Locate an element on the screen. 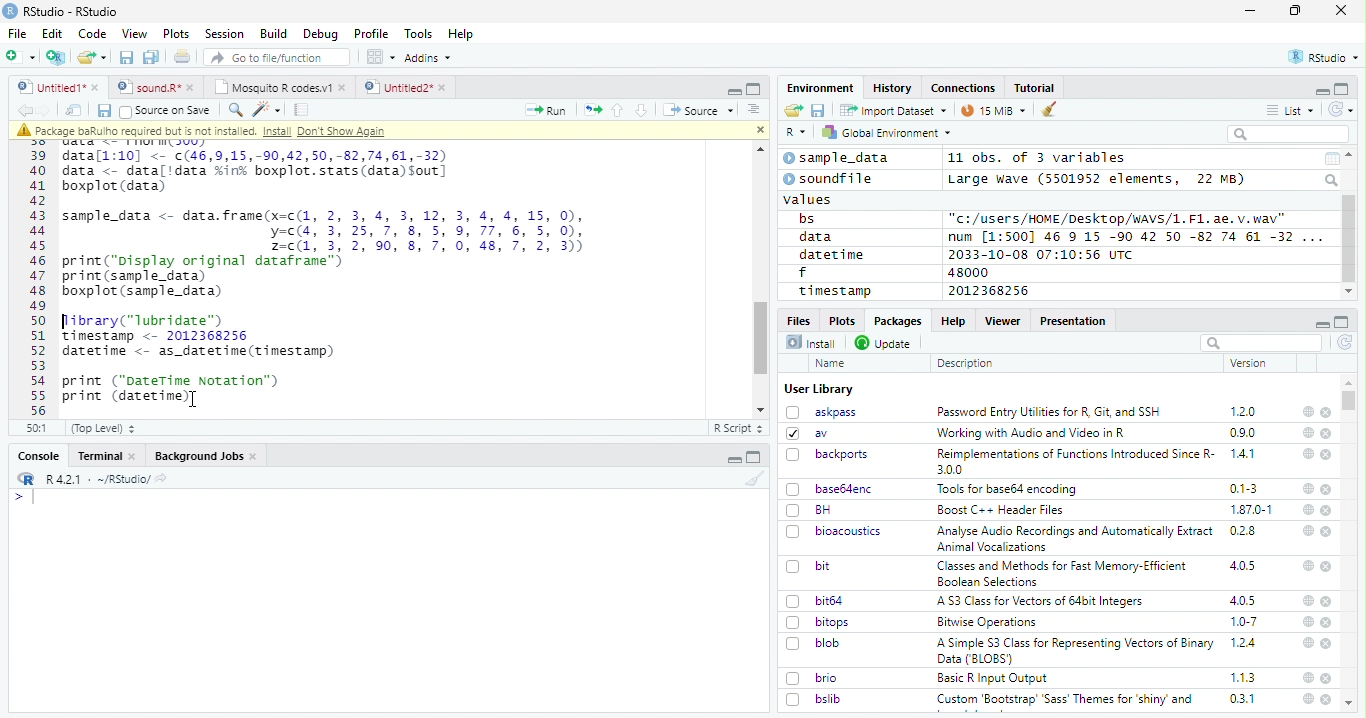 The height and width of the screenshot is (718, 1366). bit is located at coordinates (809, 567).